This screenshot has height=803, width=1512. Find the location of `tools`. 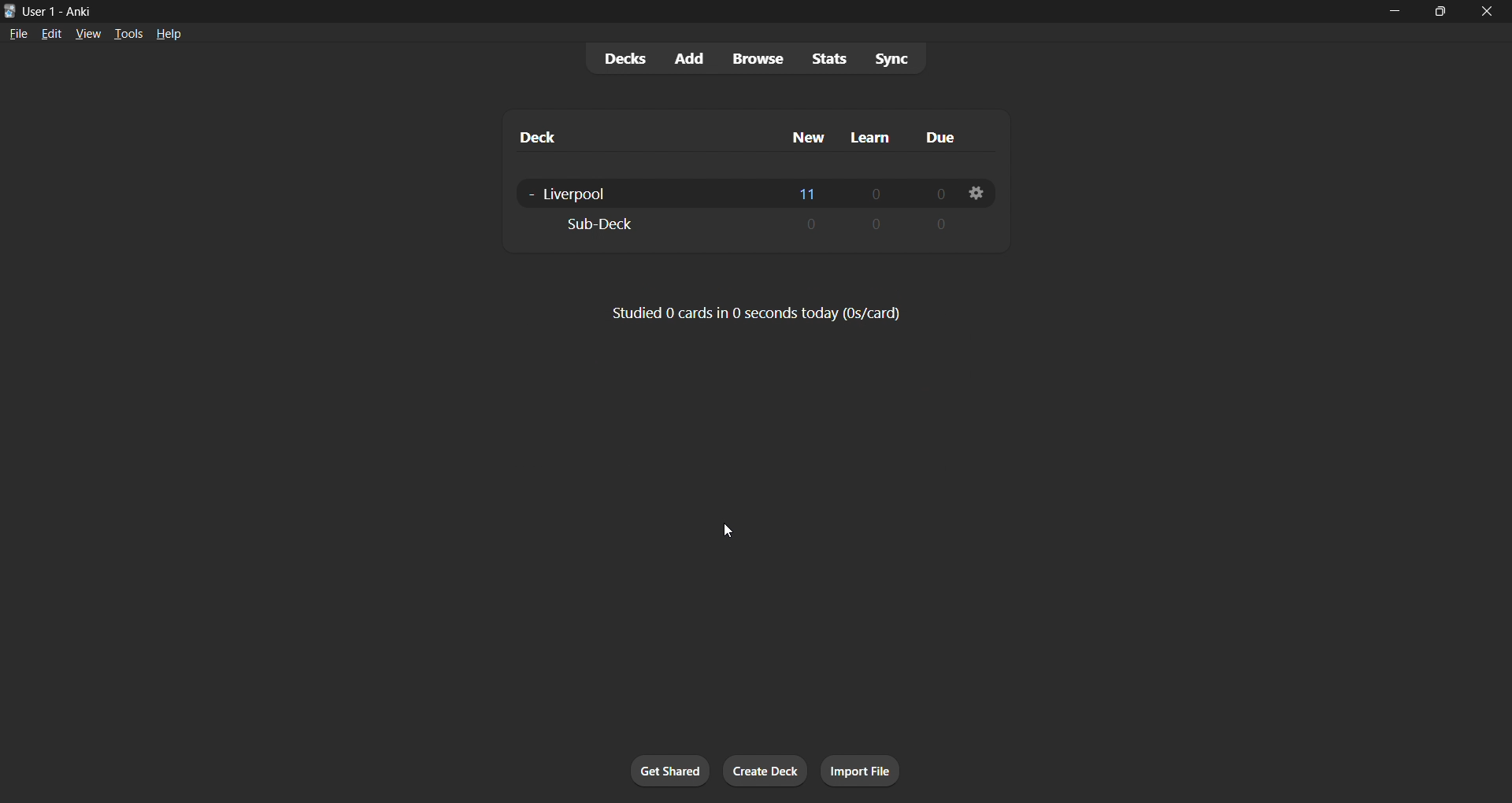

tools is located at coordinates (128, 35).